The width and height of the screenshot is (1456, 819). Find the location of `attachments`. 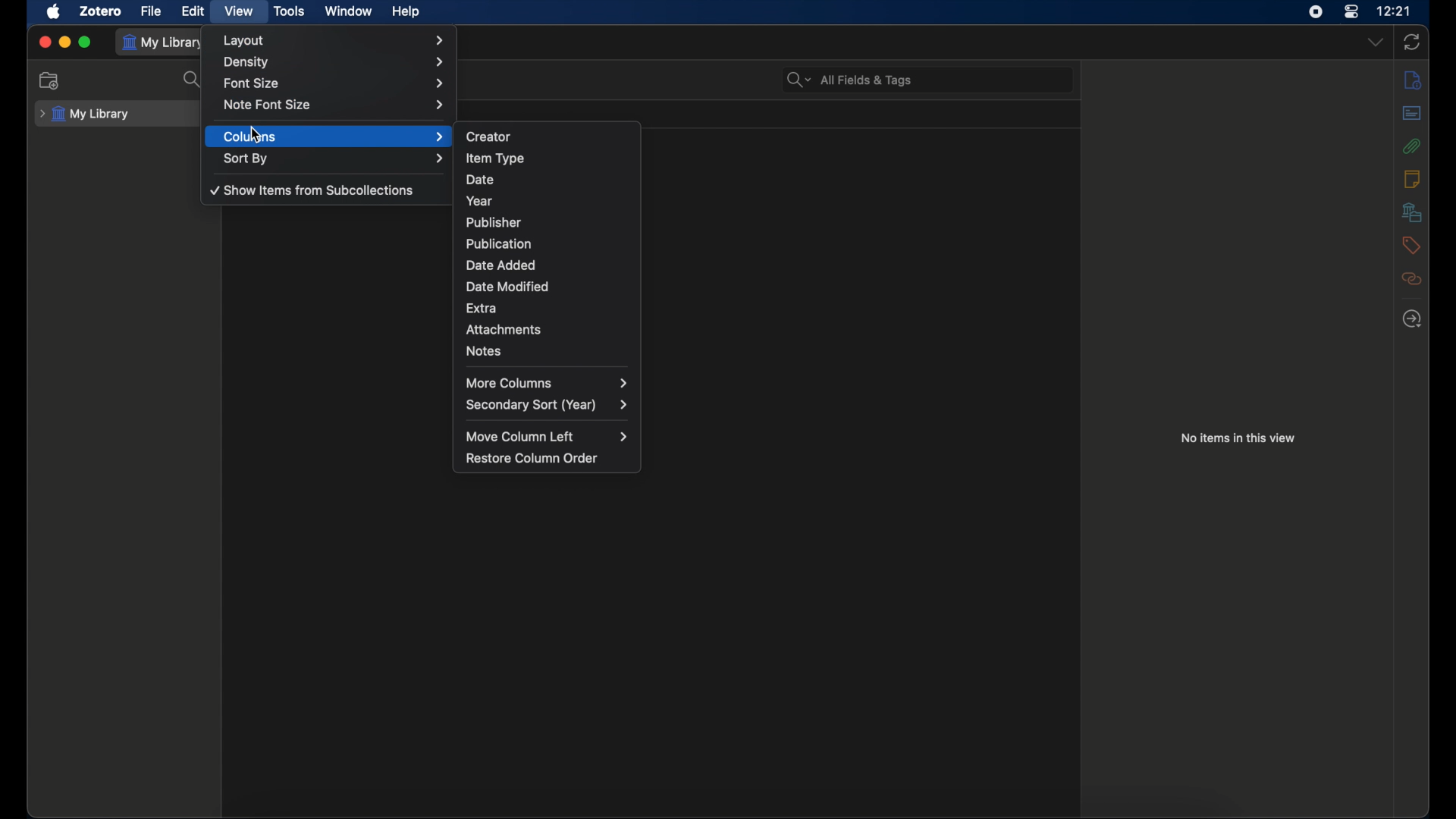

attachments is located at coordinates (1412, 279).